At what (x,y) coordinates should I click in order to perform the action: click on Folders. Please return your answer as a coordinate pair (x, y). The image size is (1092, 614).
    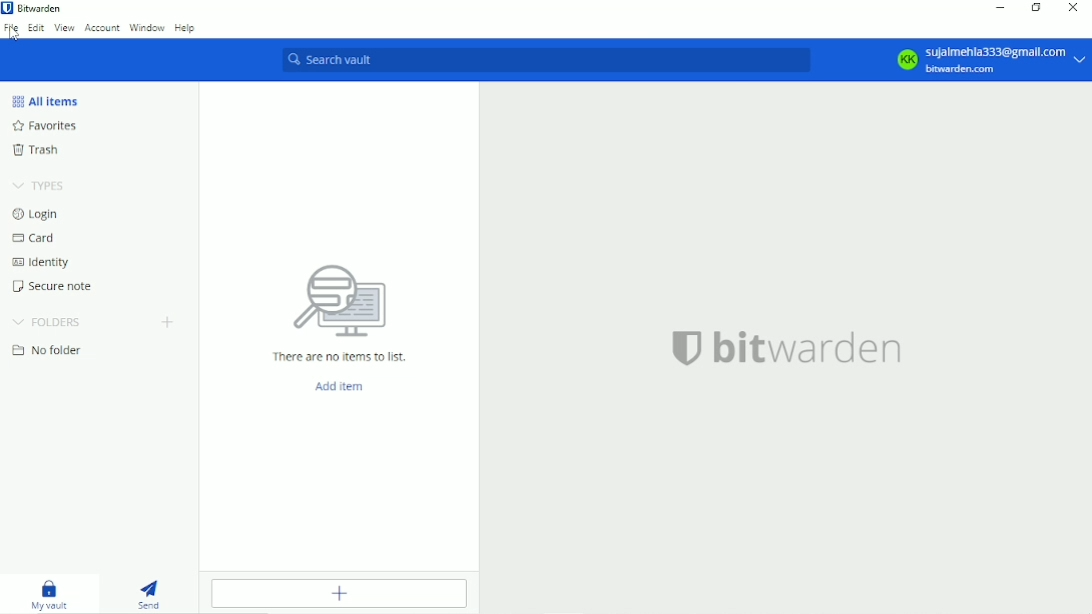
    Looking at the image, I should click on (50, 323).